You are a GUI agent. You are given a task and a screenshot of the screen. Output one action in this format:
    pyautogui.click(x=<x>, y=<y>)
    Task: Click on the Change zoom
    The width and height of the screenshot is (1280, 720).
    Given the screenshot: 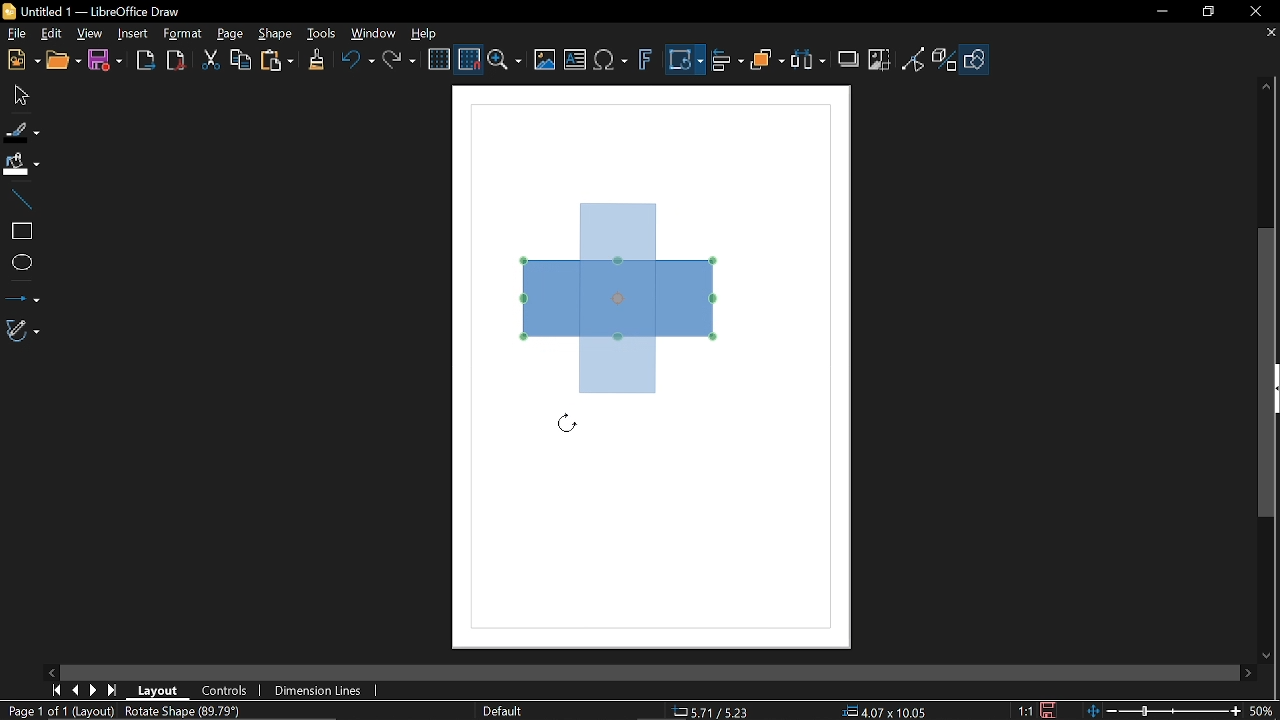 What is the action you would take?
    pyautogui.click(x=1166, y=712)
    